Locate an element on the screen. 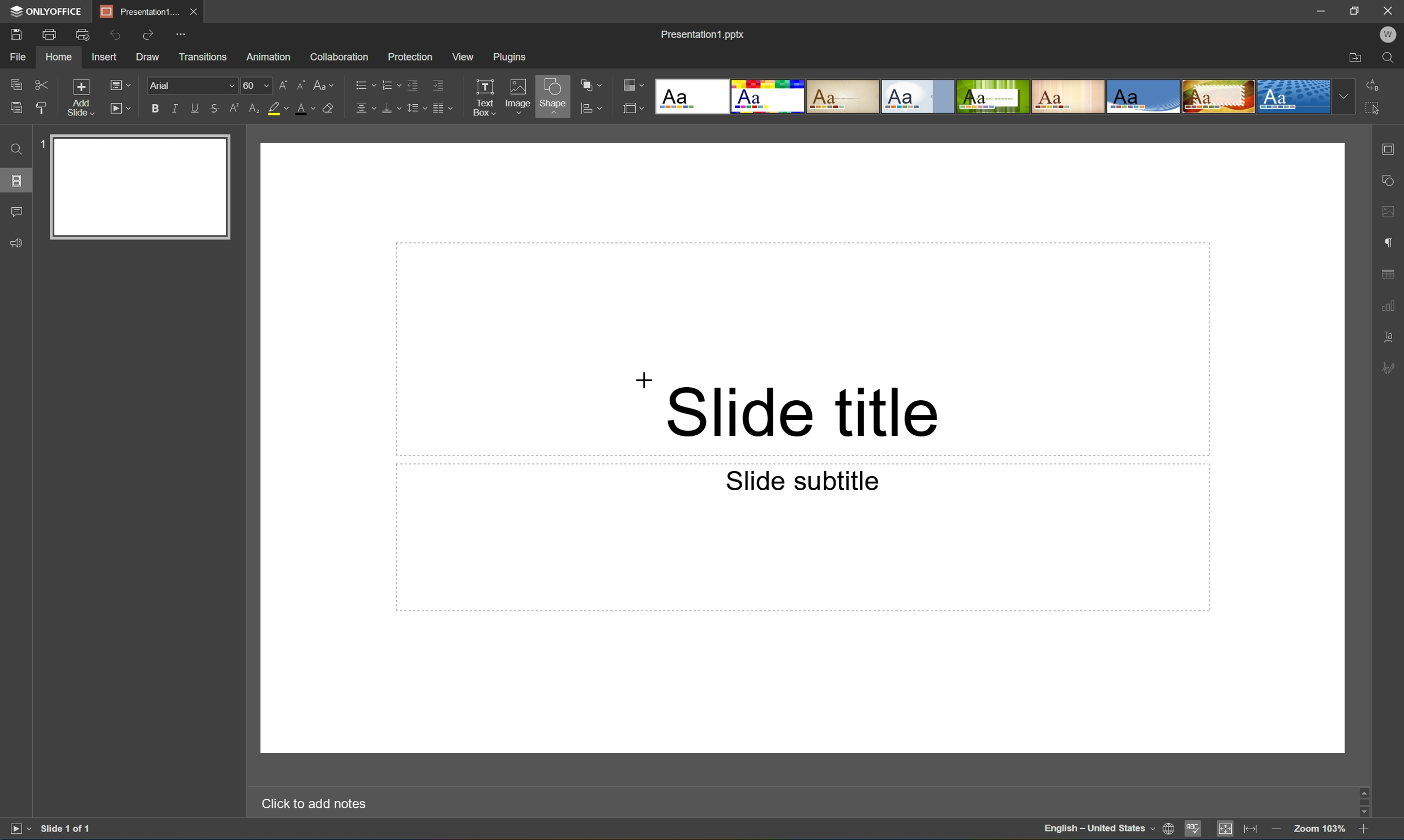  Minimize is located at coordinates (1316, 10).